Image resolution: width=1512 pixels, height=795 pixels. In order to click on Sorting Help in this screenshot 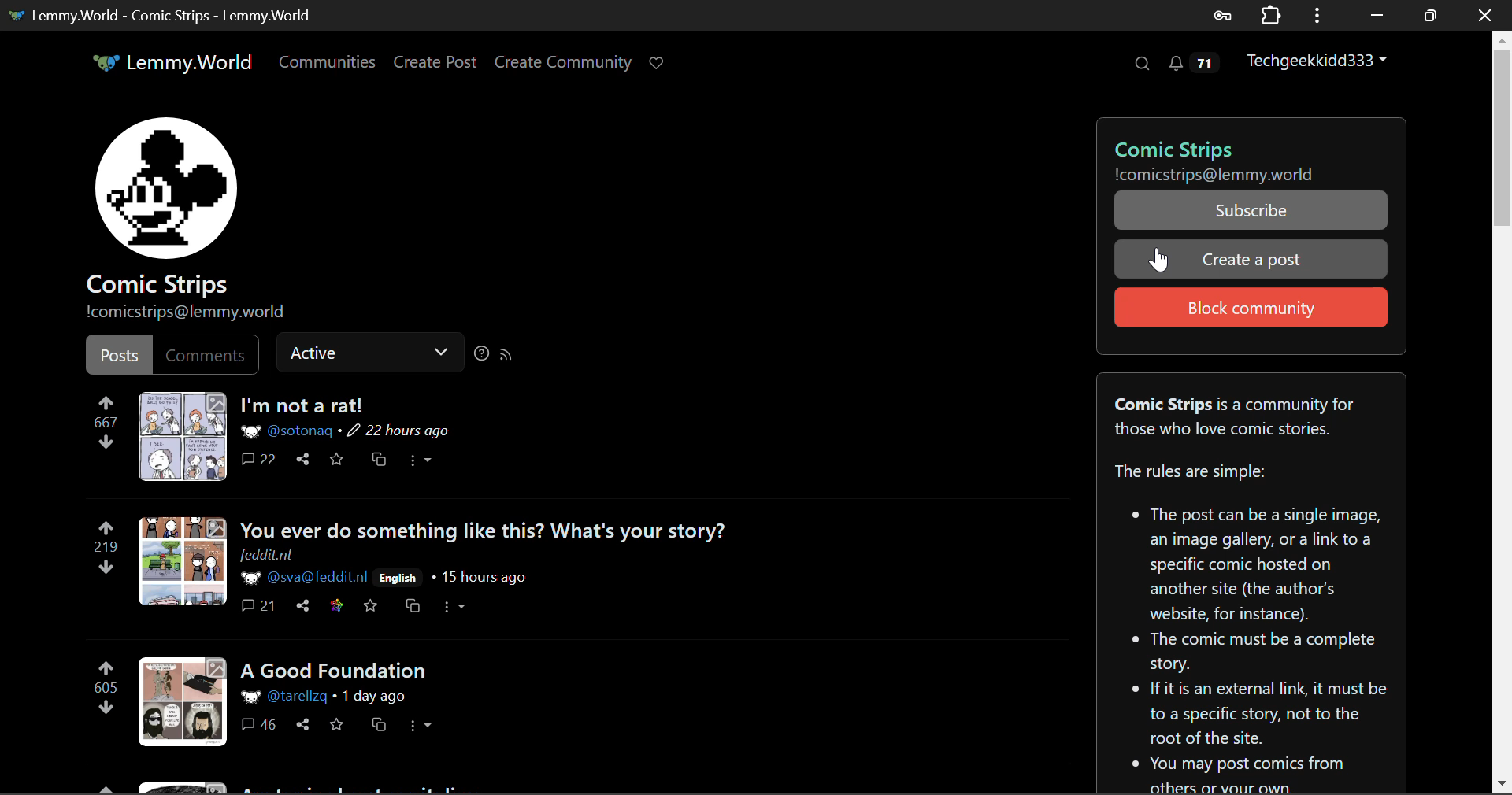, I will do `click(483, 354)`.